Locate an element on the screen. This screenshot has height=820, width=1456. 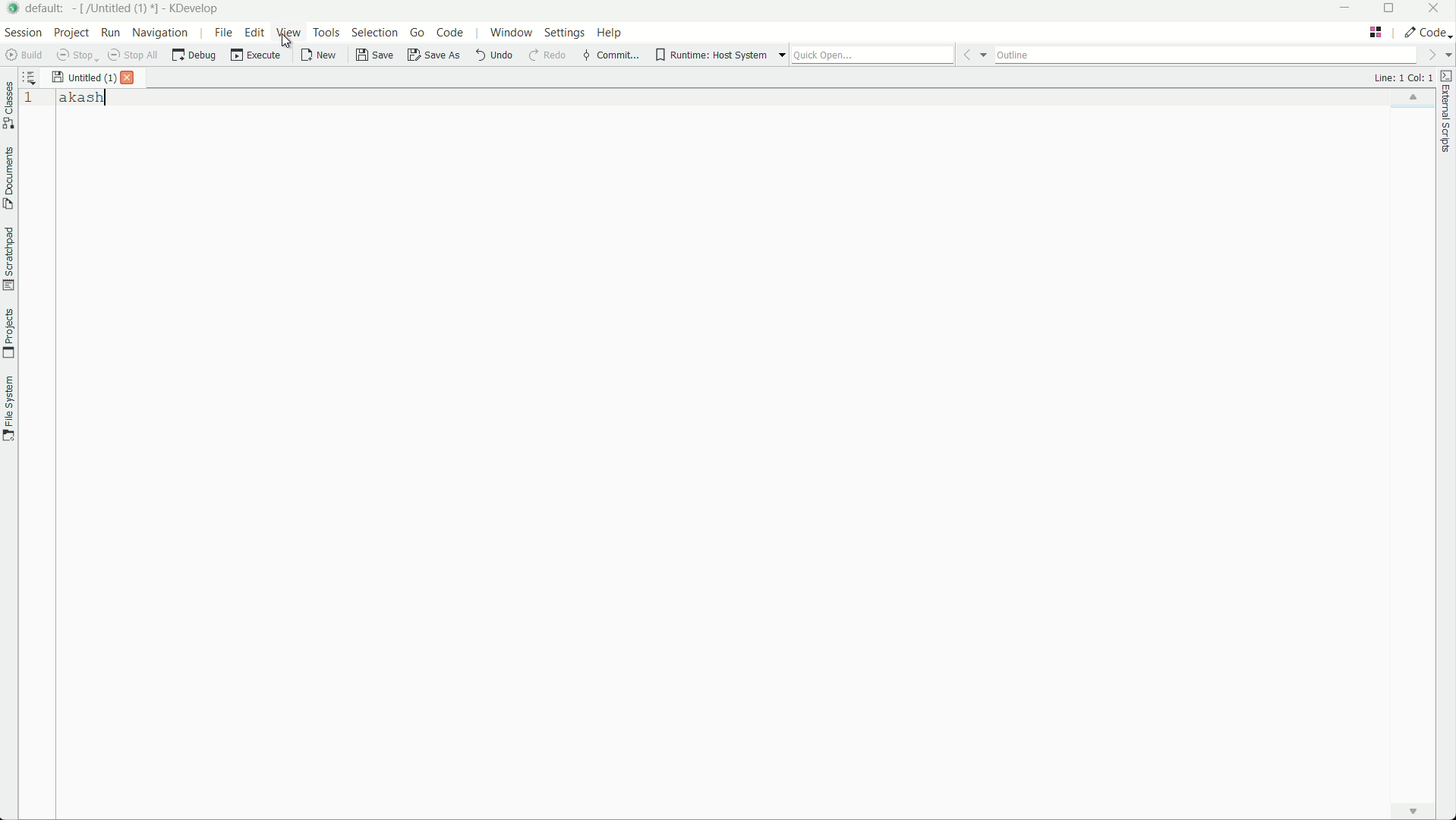
[/untitled] is located at coordinates (116, 9).